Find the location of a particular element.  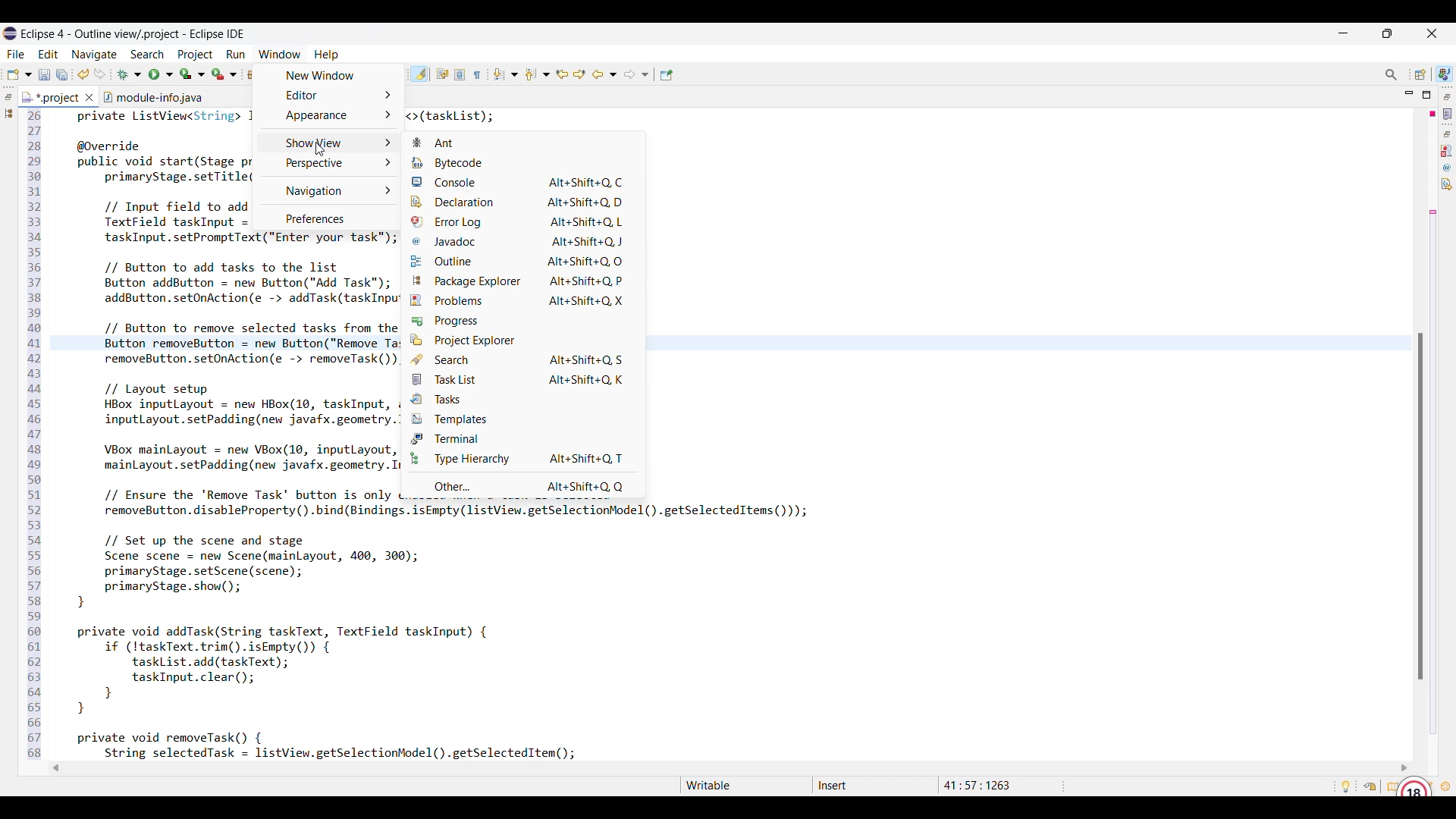

New options is located at coordinates (19, 74).